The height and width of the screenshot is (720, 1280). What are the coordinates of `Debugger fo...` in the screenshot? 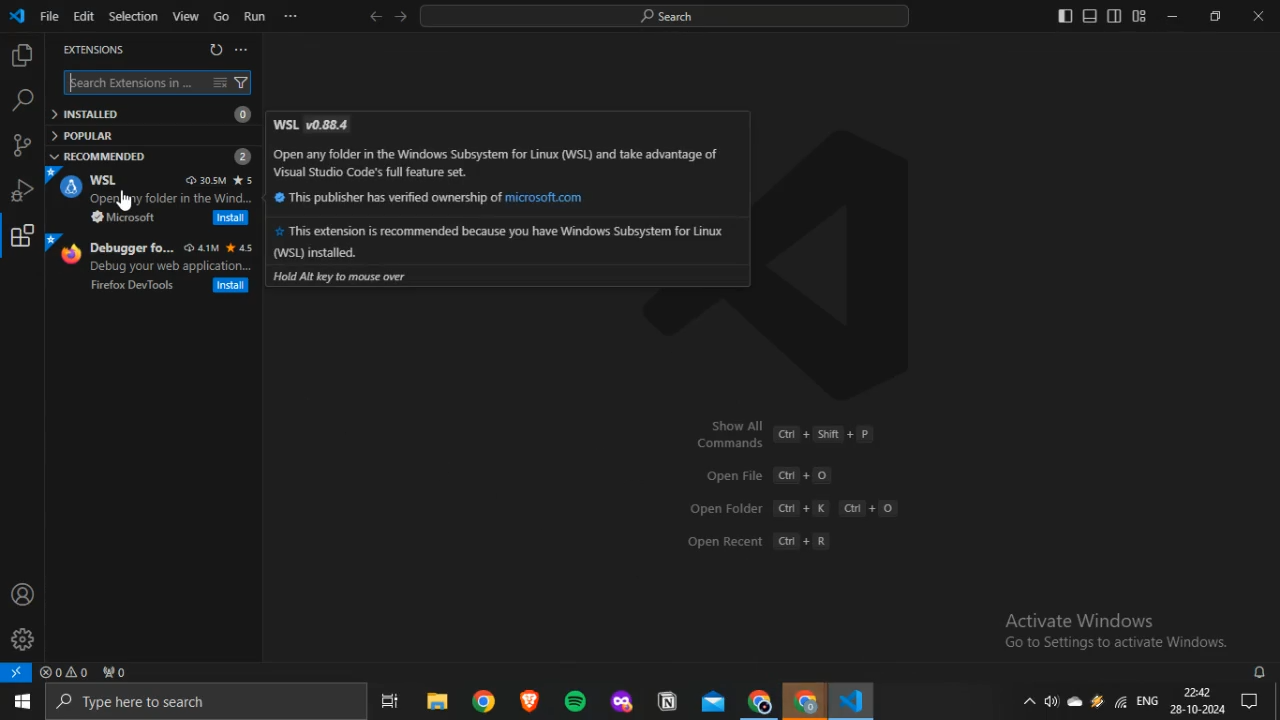 It's located at (133, 248).